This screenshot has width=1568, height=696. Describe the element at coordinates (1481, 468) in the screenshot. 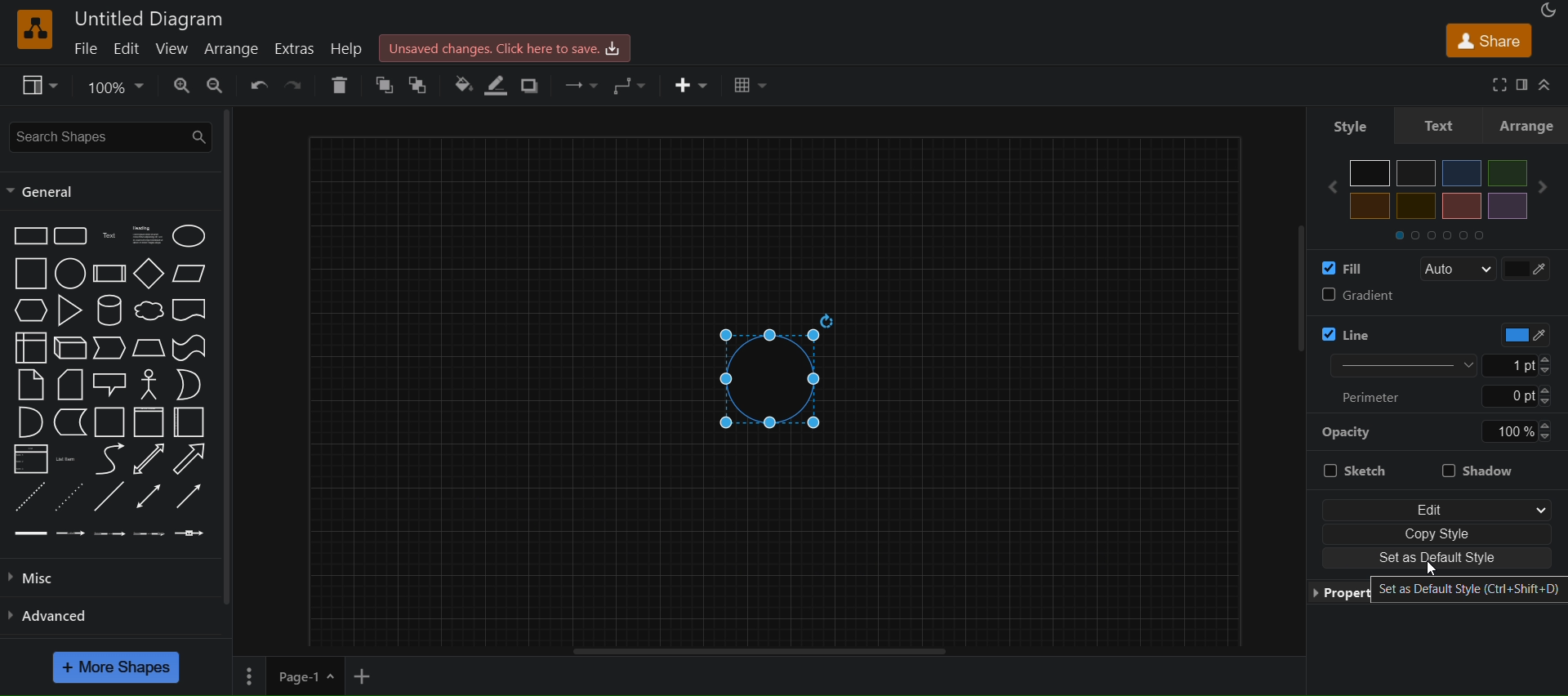

I see `shadow` at that location.